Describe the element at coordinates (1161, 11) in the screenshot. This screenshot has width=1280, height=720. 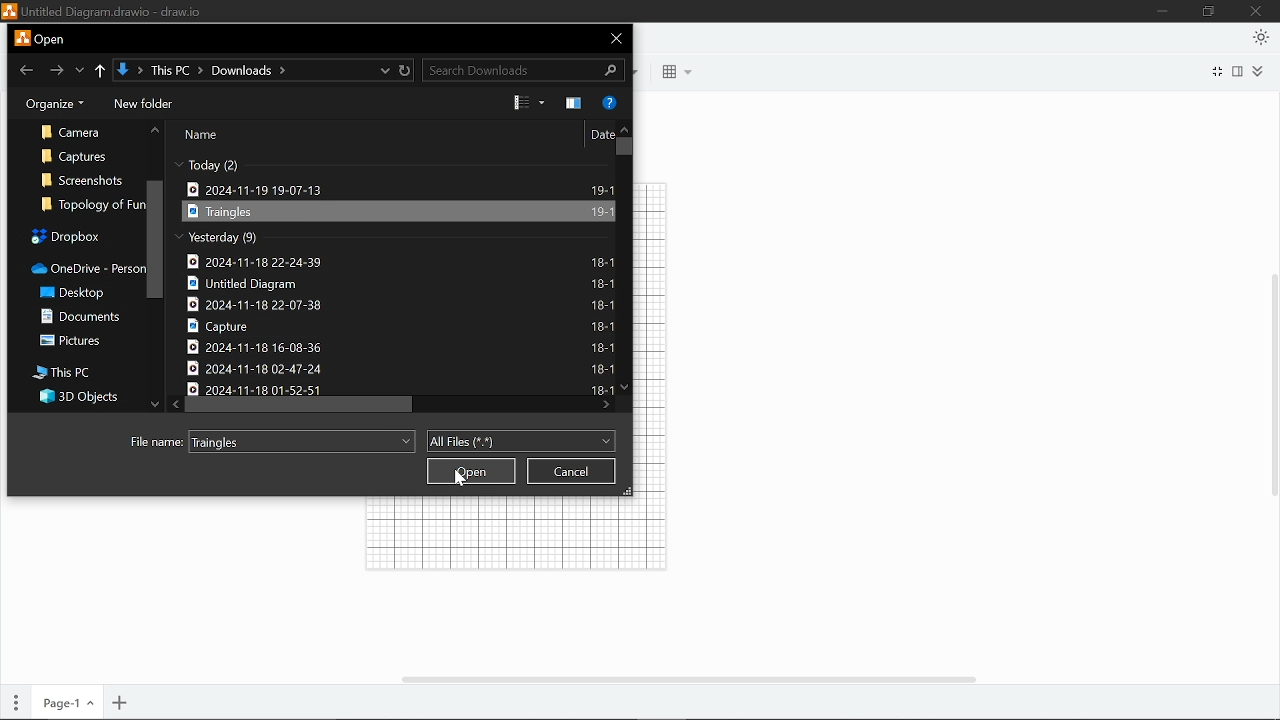
I see `Minimize` at that location.